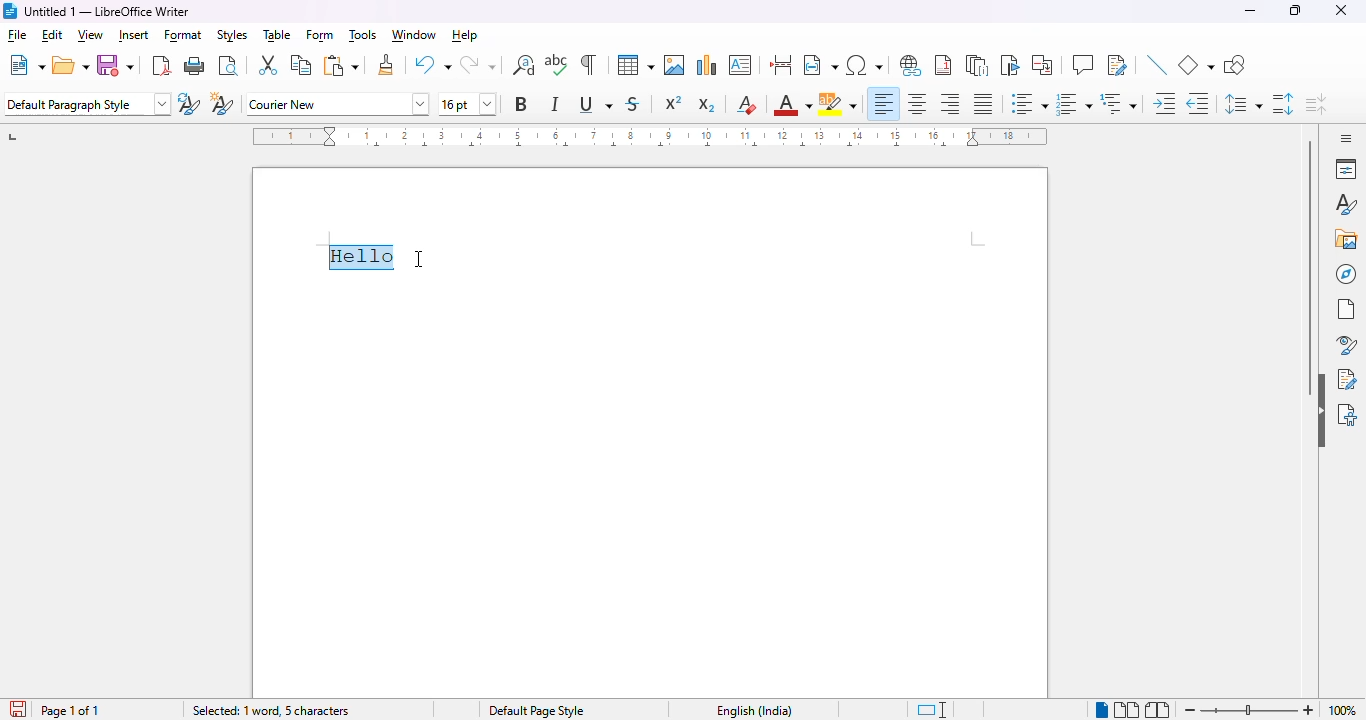 The image size is (1366, 720). Describe the element at coordinates (224, 105) in the screenshot. I see `new style from selection` at that location.